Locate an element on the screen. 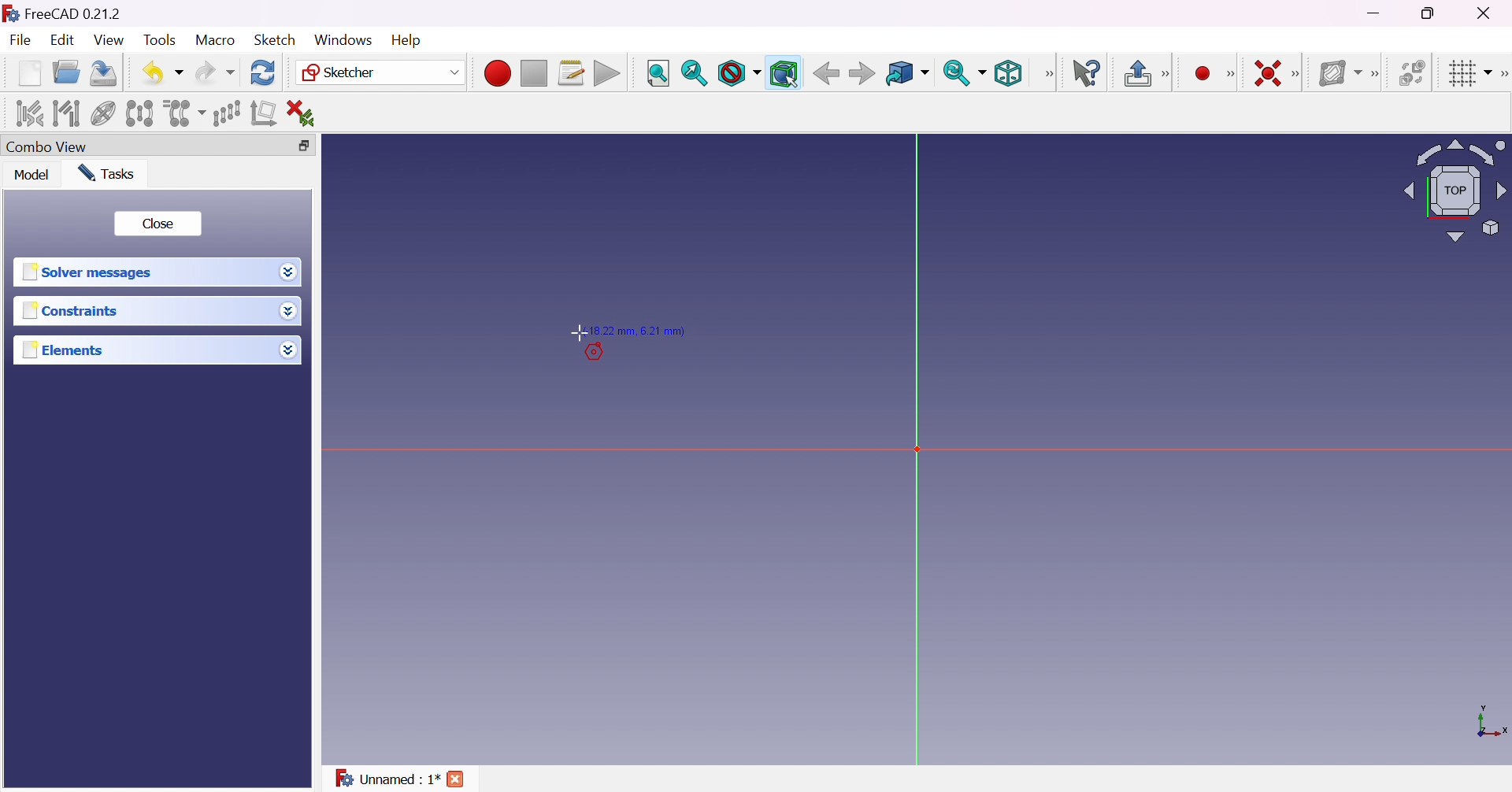 Image resolution: width=1512 pixels, height=792 pixels. Restore down is located at coordinates (312, 146).